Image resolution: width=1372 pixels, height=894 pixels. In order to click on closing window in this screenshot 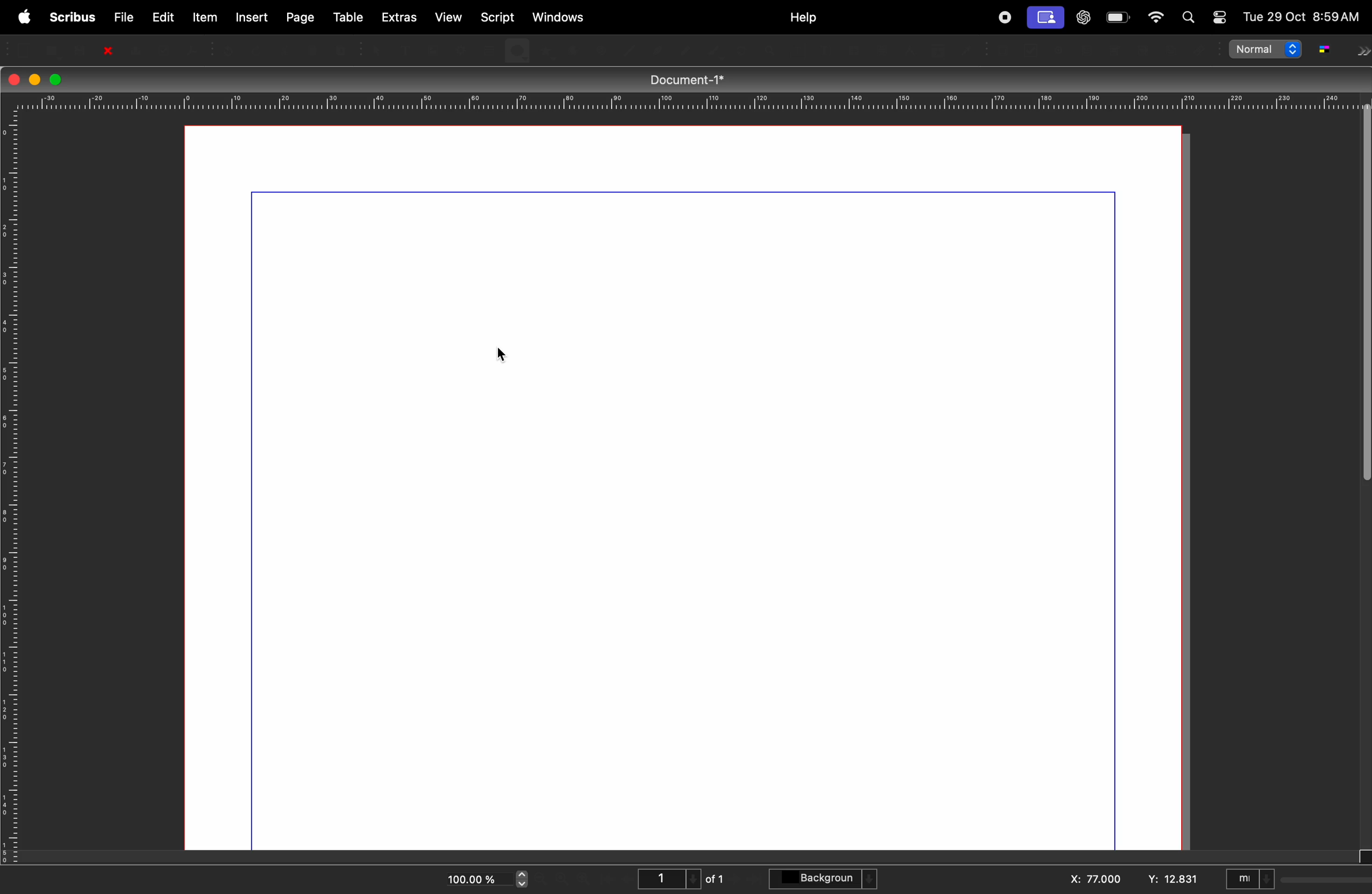, I will do `click(15, 78)`.